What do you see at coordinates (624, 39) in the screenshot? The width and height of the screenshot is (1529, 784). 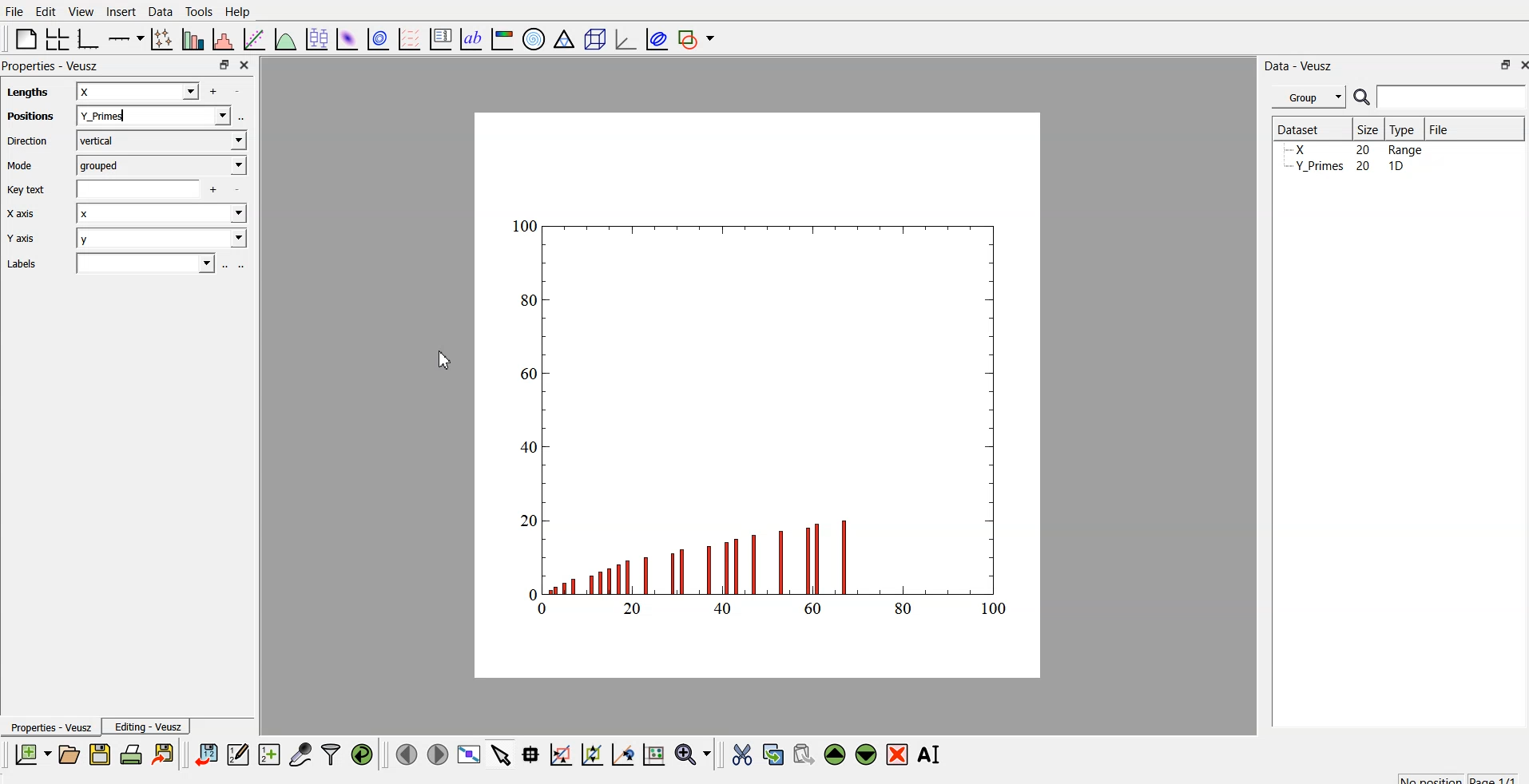 I see `3D graph` at bounding box center [624, 39].